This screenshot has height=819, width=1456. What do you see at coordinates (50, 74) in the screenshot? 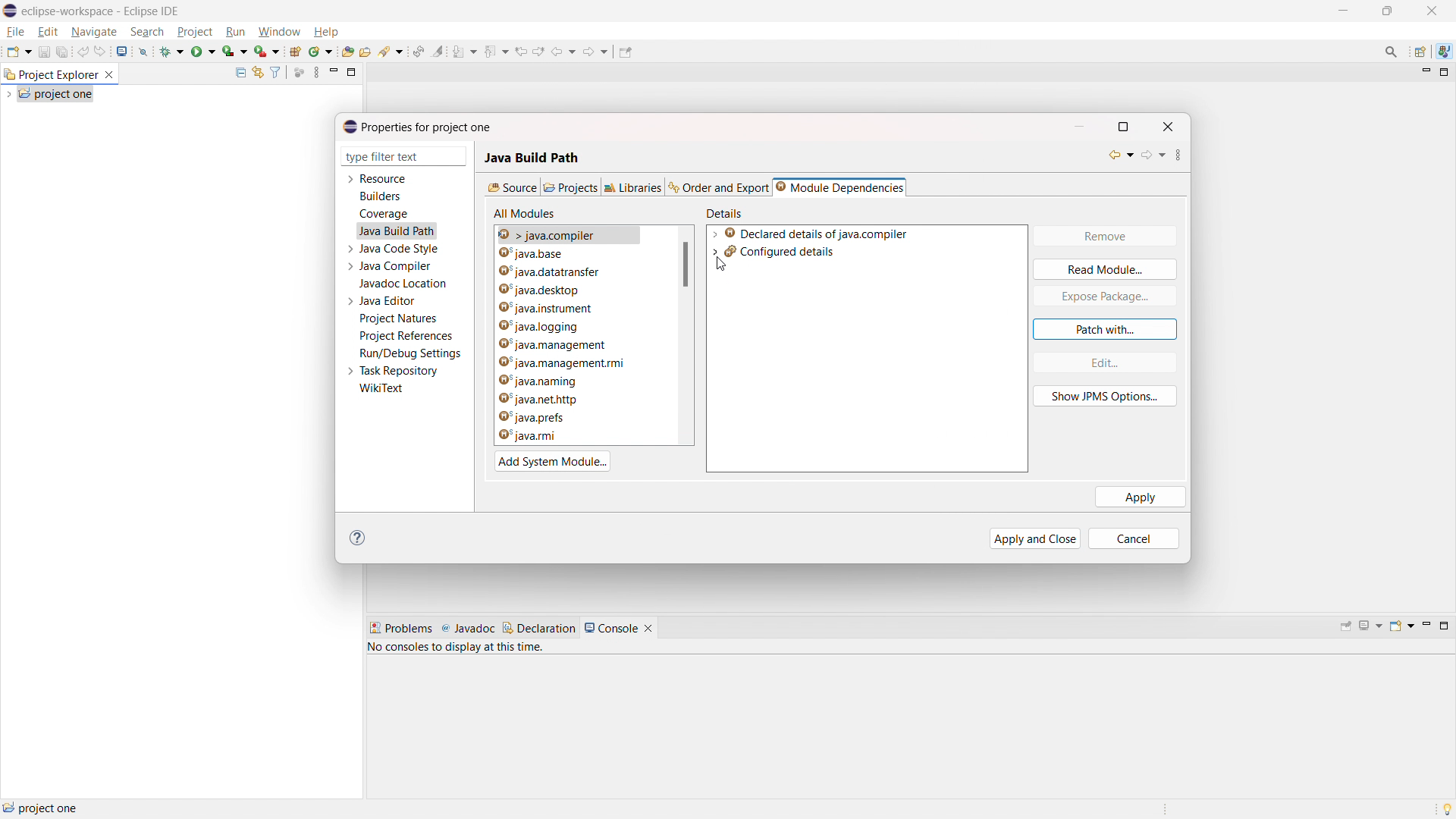
I see `project explorer` at bounding box center [50, 74].